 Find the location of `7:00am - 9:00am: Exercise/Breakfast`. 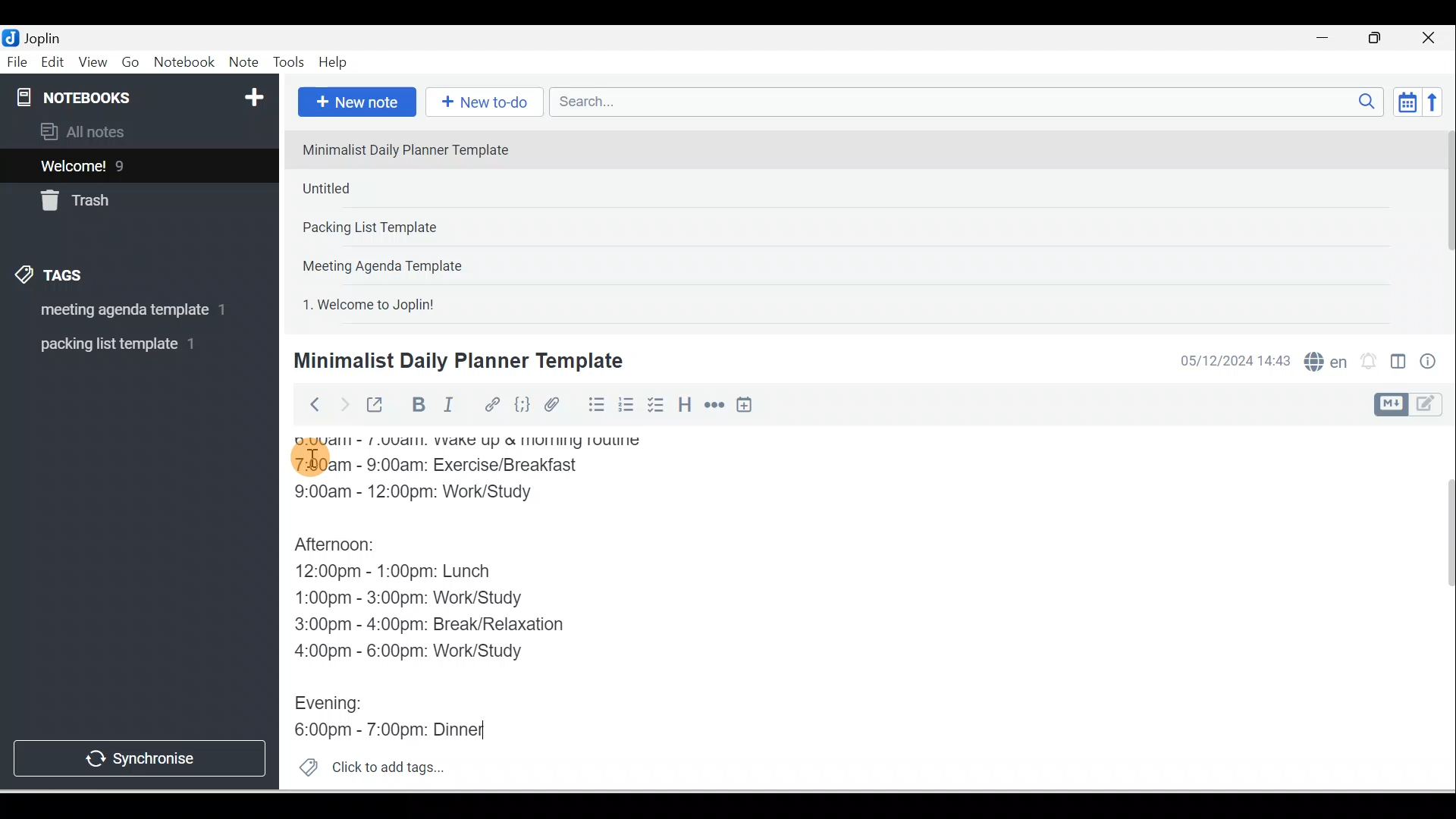

7:00am - 9:00am: Exercise/Breakfast is located at coordinates (456, 466).